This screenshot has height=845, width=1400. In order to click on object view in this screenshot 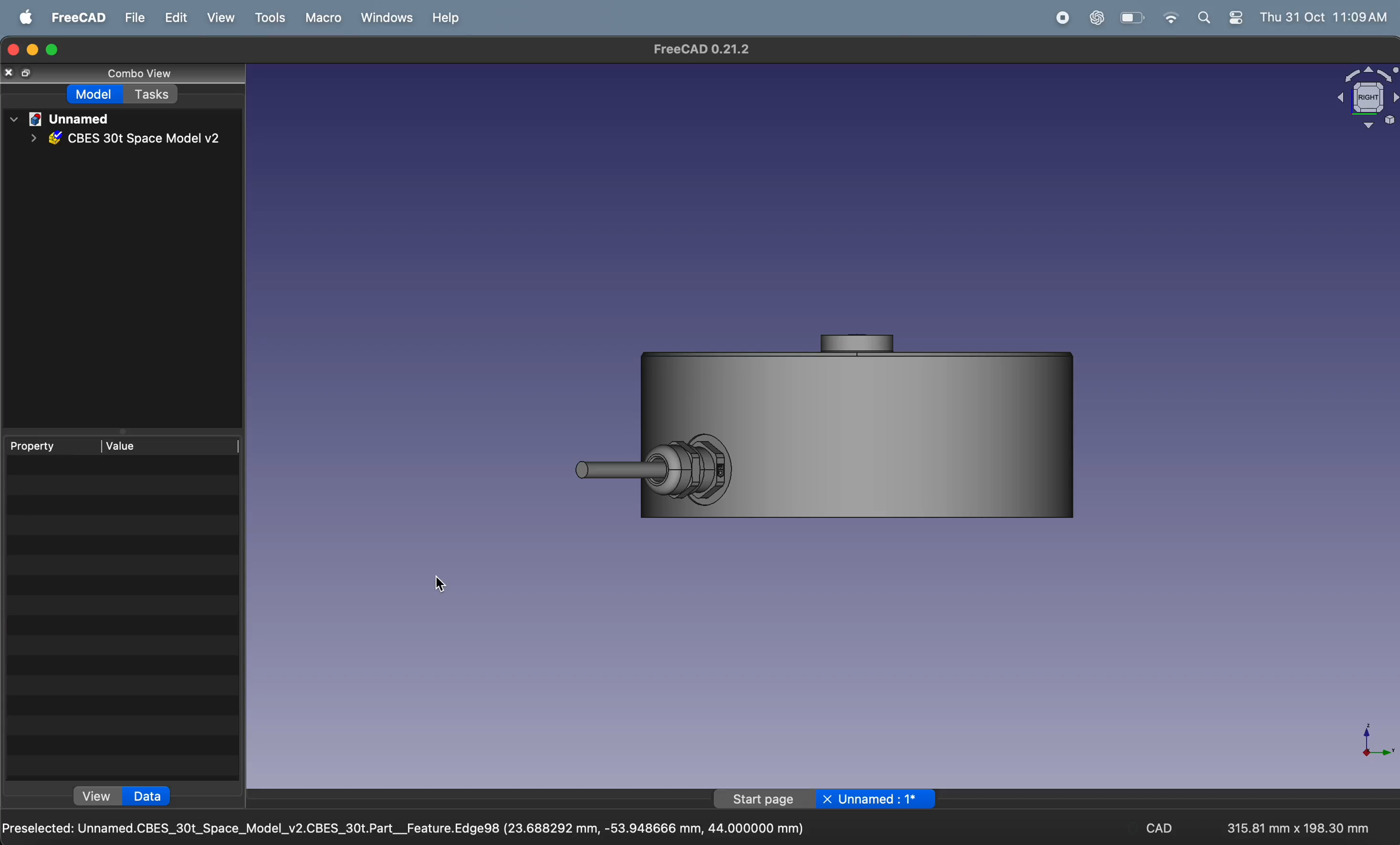, I will do `click(1360, 99)`.